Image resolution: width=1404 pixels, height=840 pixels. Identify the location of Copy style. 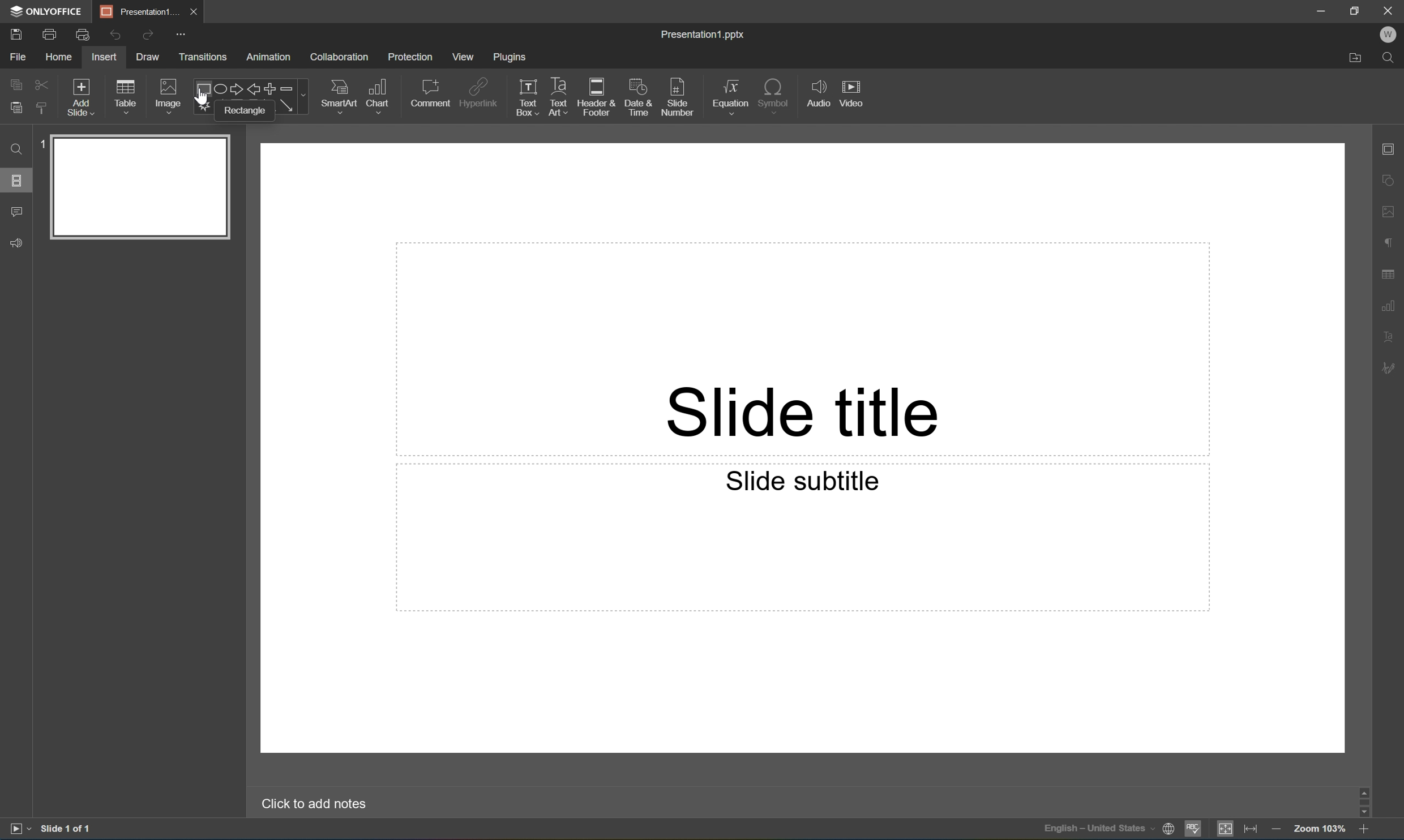
(43, 109).